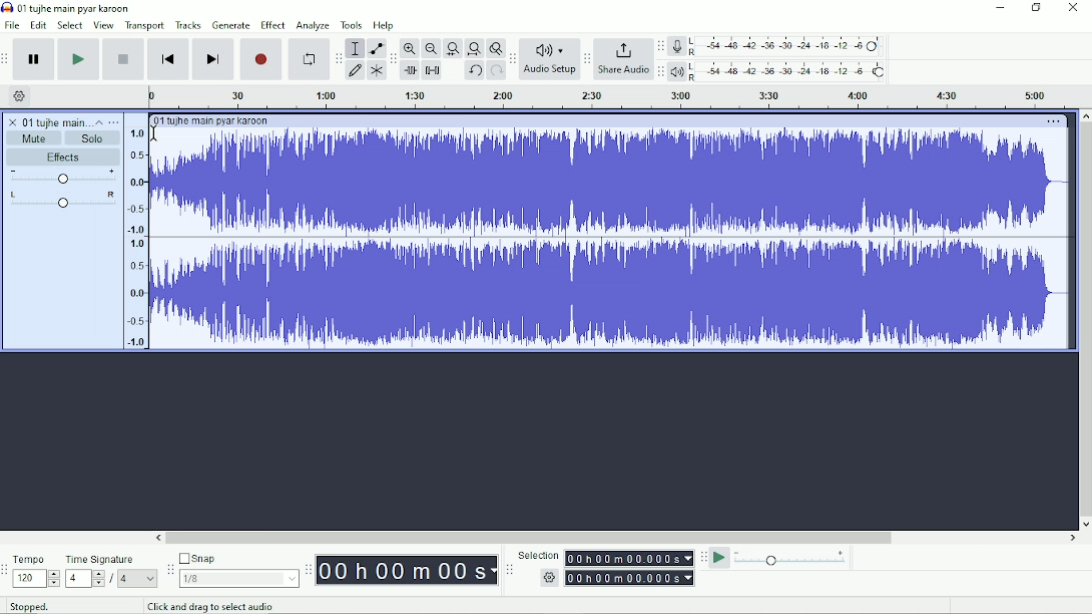 The width and height of the screenshot is (1092, 614). Describe the element at coordinates (494, 48) in the screenshot. I see `Zoom toggle` at that location.